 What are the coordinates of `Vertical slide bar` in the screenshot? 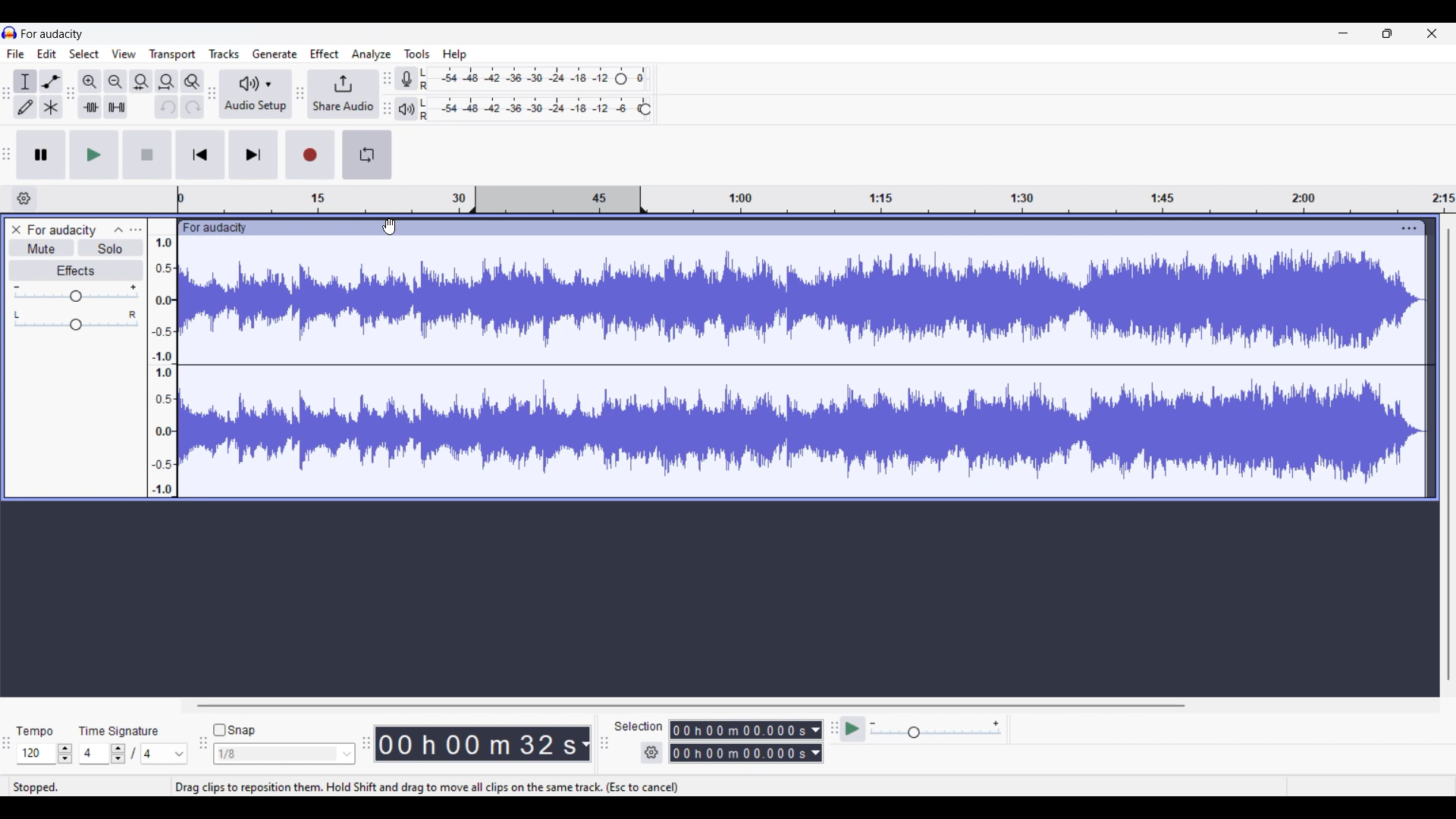 It's located at (1448, 453).